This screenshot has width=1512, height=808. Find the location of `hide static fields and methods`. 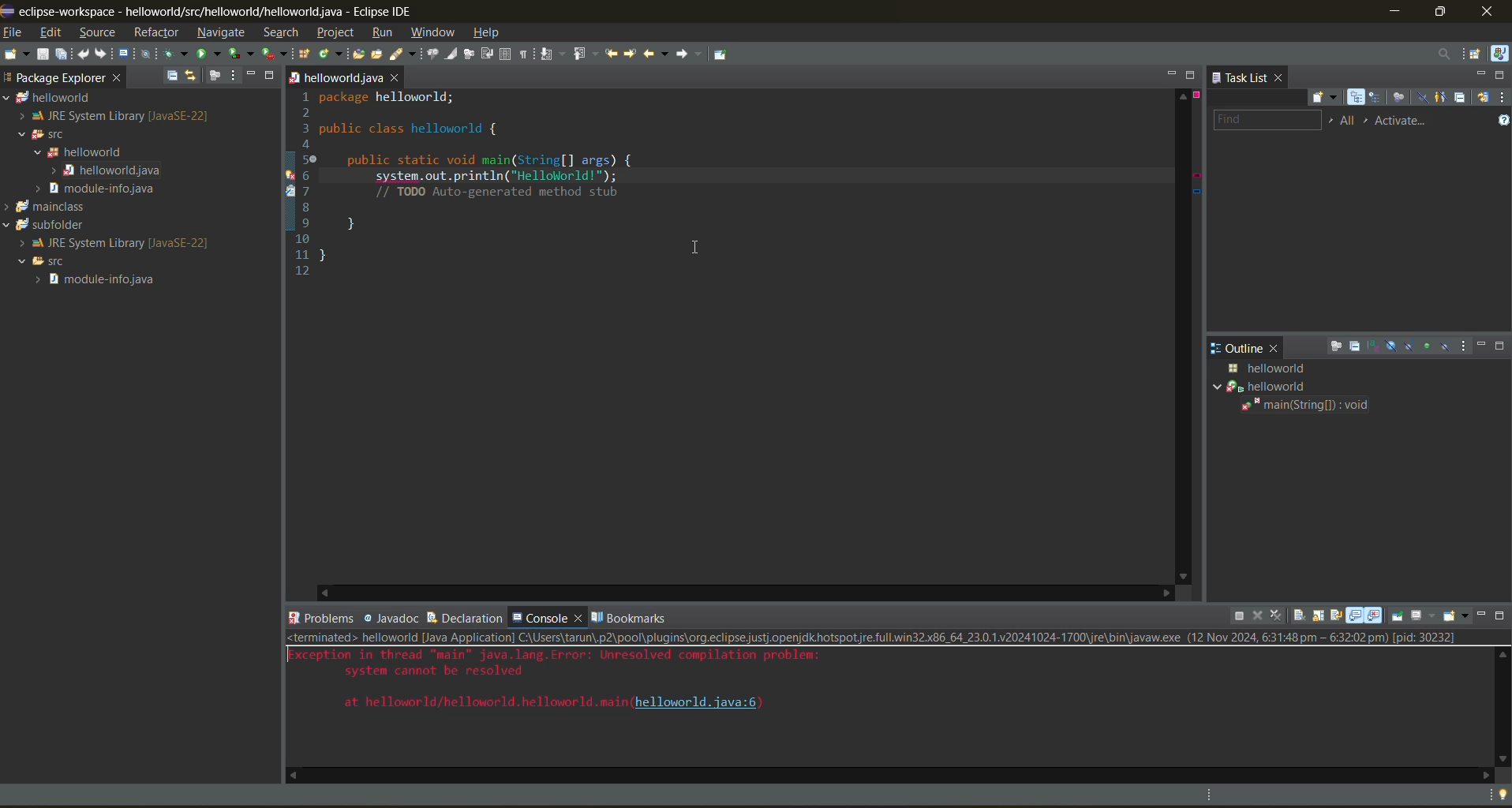

hide static fields and methods is located at coordinates (1414, 346).